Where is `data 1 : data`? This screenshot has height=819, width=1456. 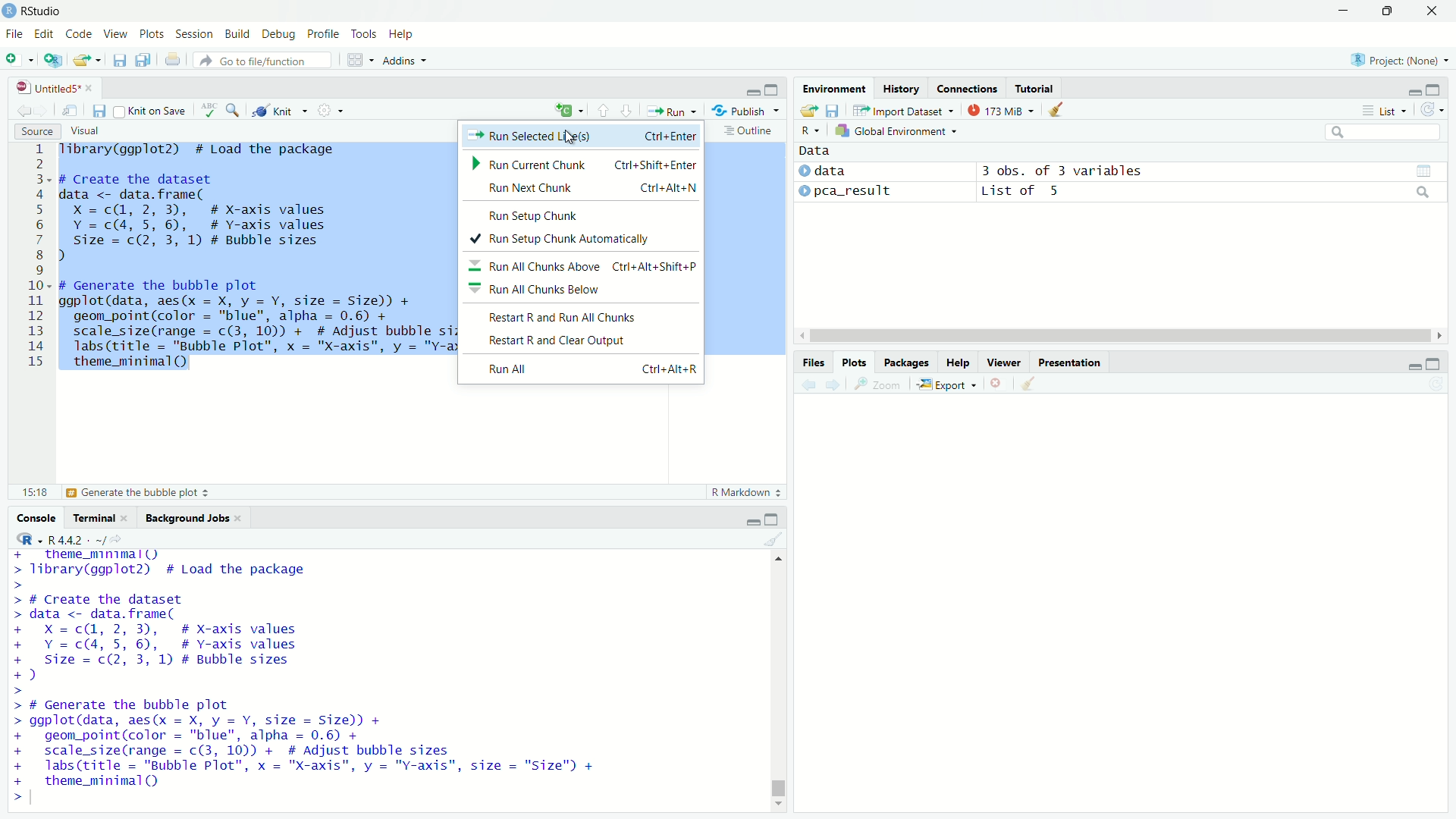
data 1 : data is located at coordinates (849, 171).